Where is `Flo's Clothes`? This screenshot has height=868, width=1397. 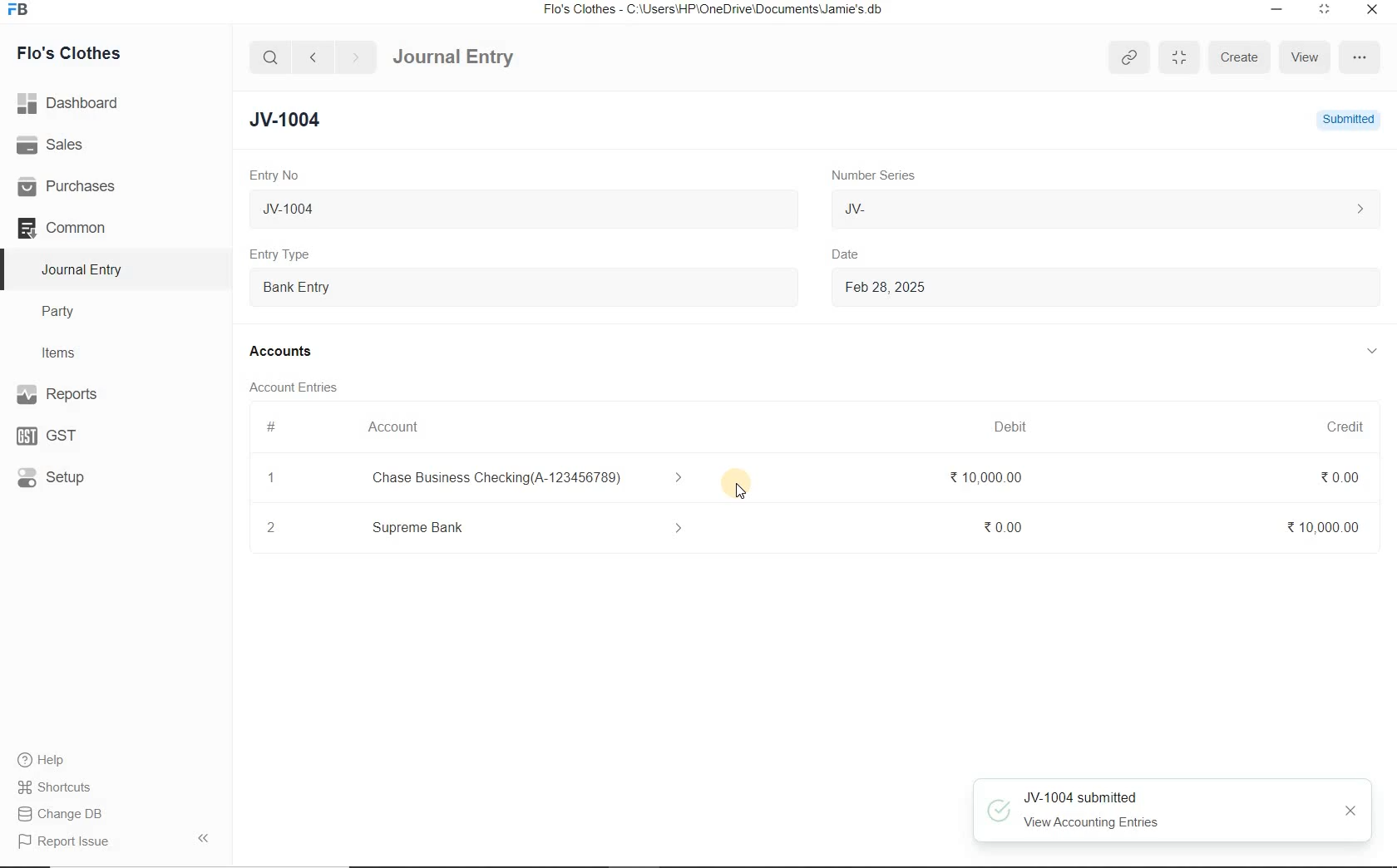 Flo's Clothes is located at coordinates (81, 53).